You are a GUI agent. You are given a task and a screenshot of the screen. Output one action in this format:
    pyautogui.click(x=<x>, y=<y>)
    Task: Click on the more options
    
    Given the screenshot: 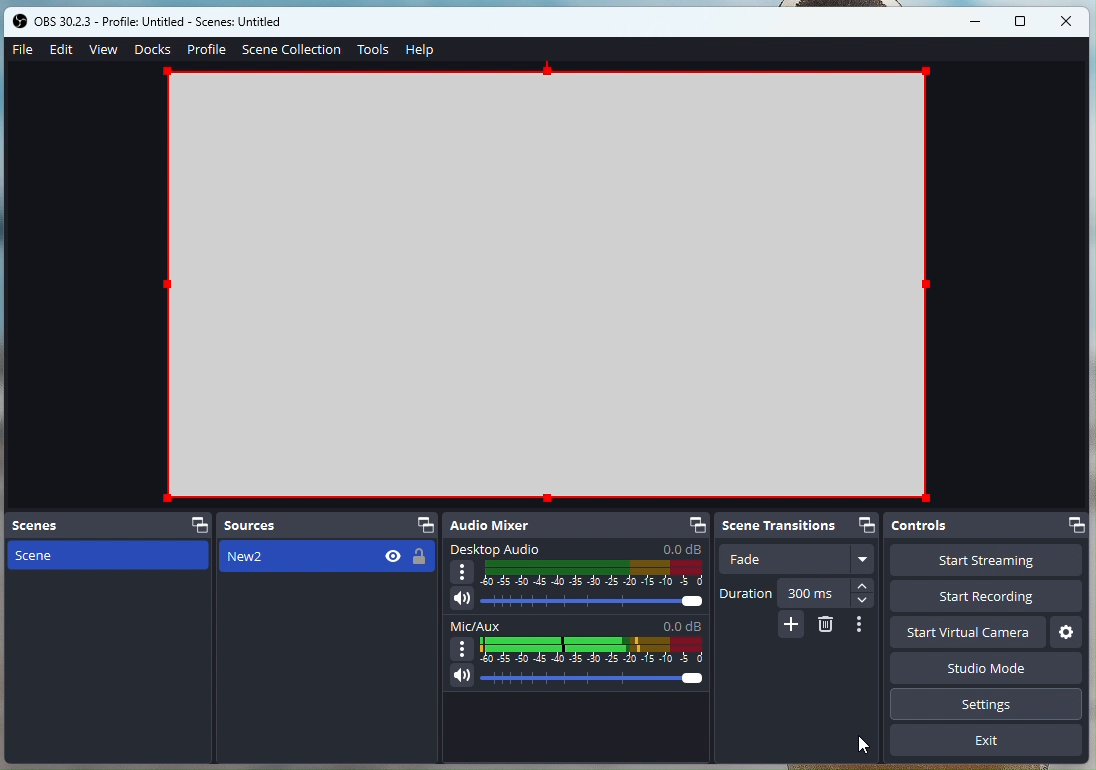 What is the action you would take?
    pyautogui.click(x=462, y=647)
    